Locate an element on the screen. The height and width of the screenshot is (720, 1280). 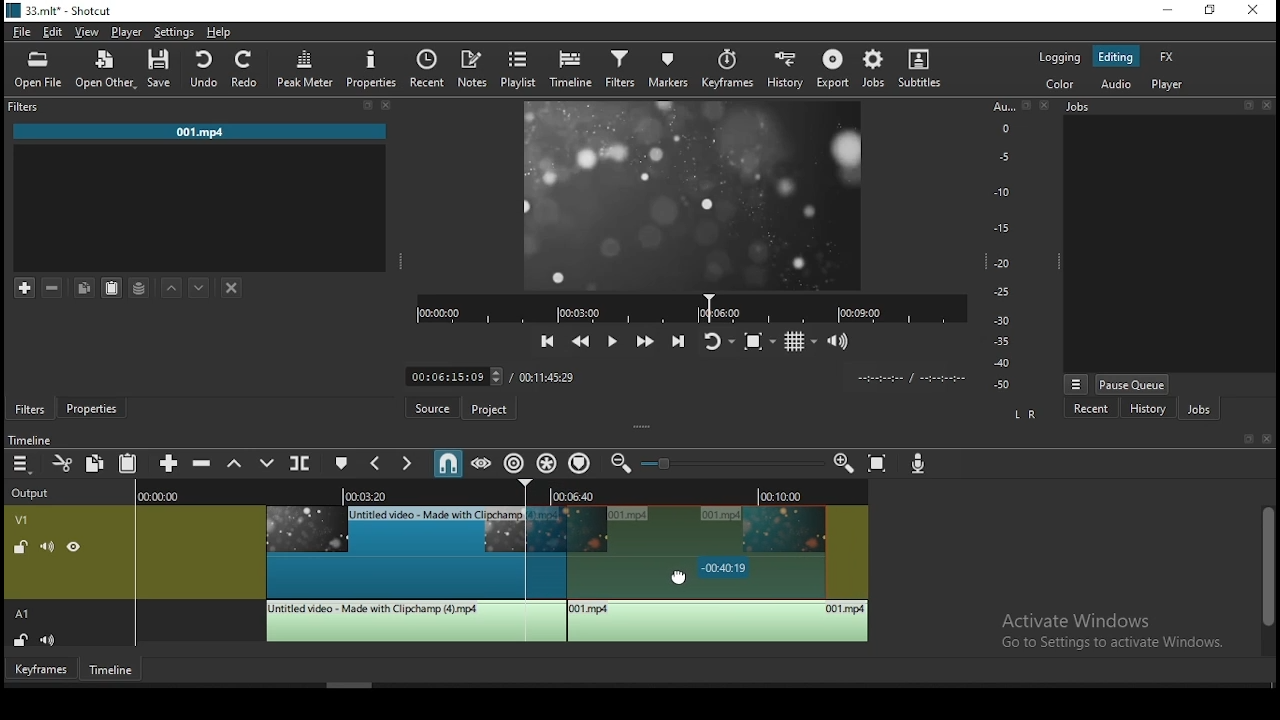
*un)lock is located at coordinates (17, 546).